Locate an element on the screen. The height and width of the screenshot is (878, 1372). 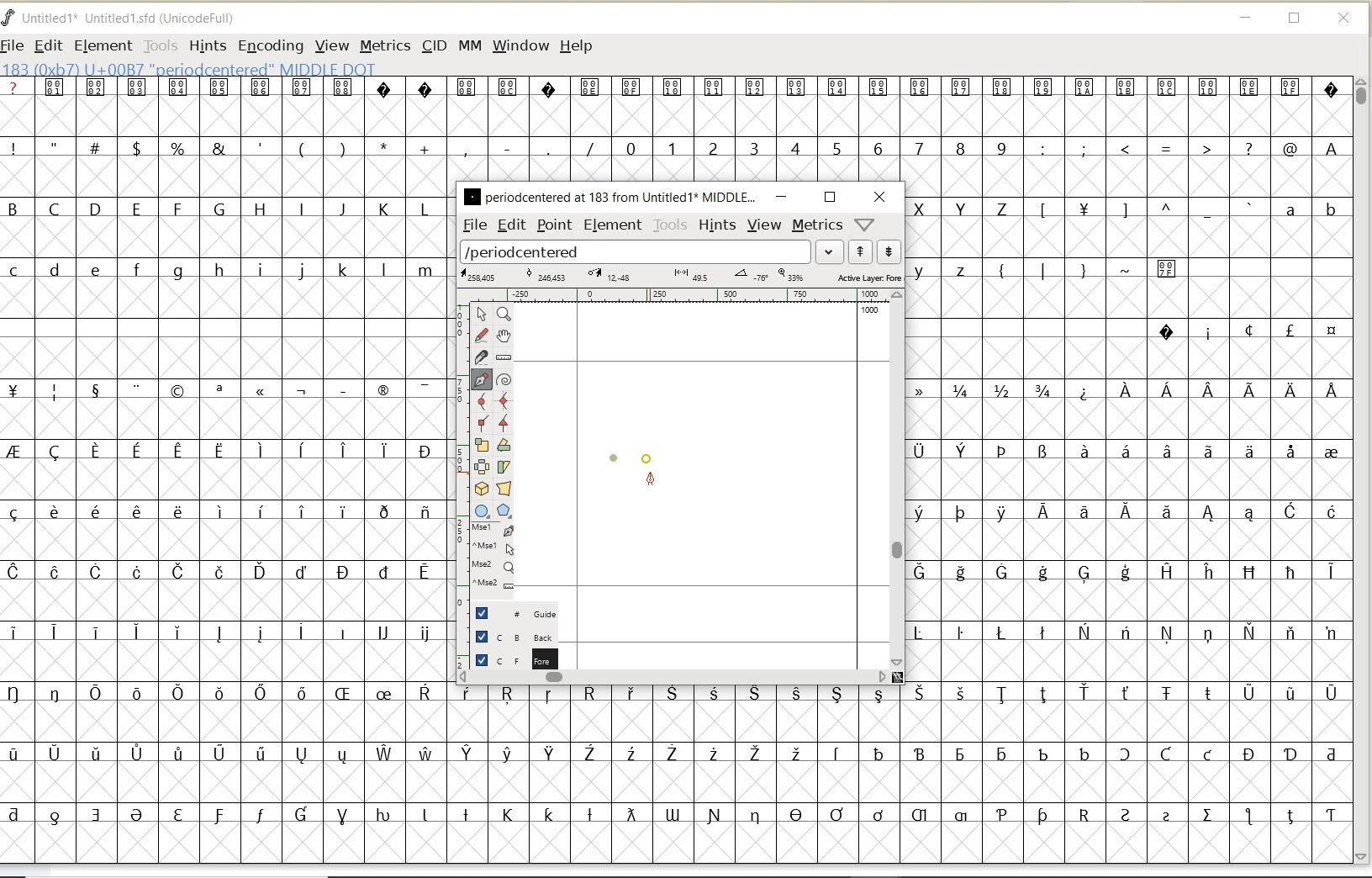
METRICS is located at coordinates (384, 47).